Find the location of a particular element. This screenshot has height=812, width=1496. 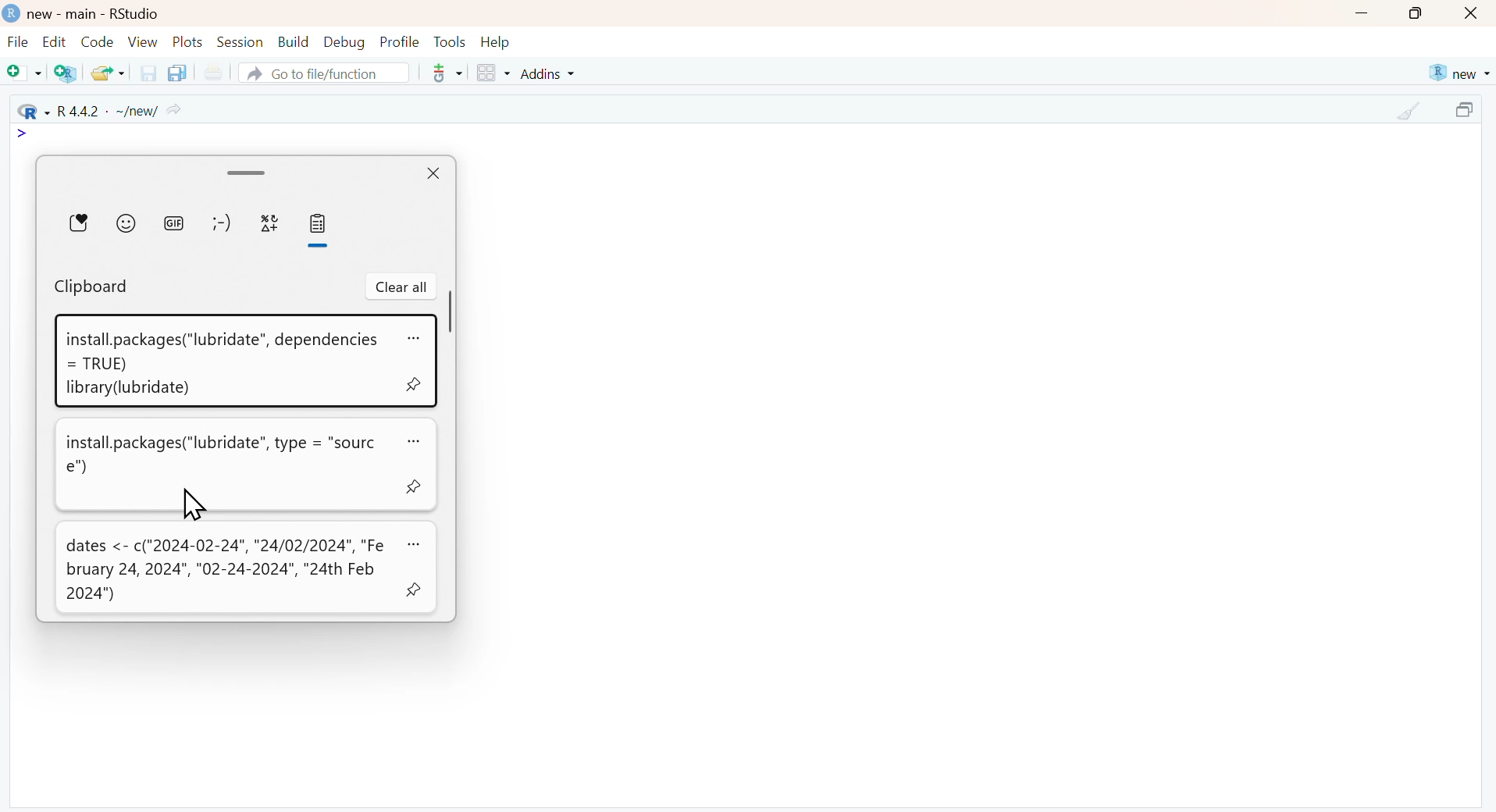

Create a project is located at coordinates (67, 73).